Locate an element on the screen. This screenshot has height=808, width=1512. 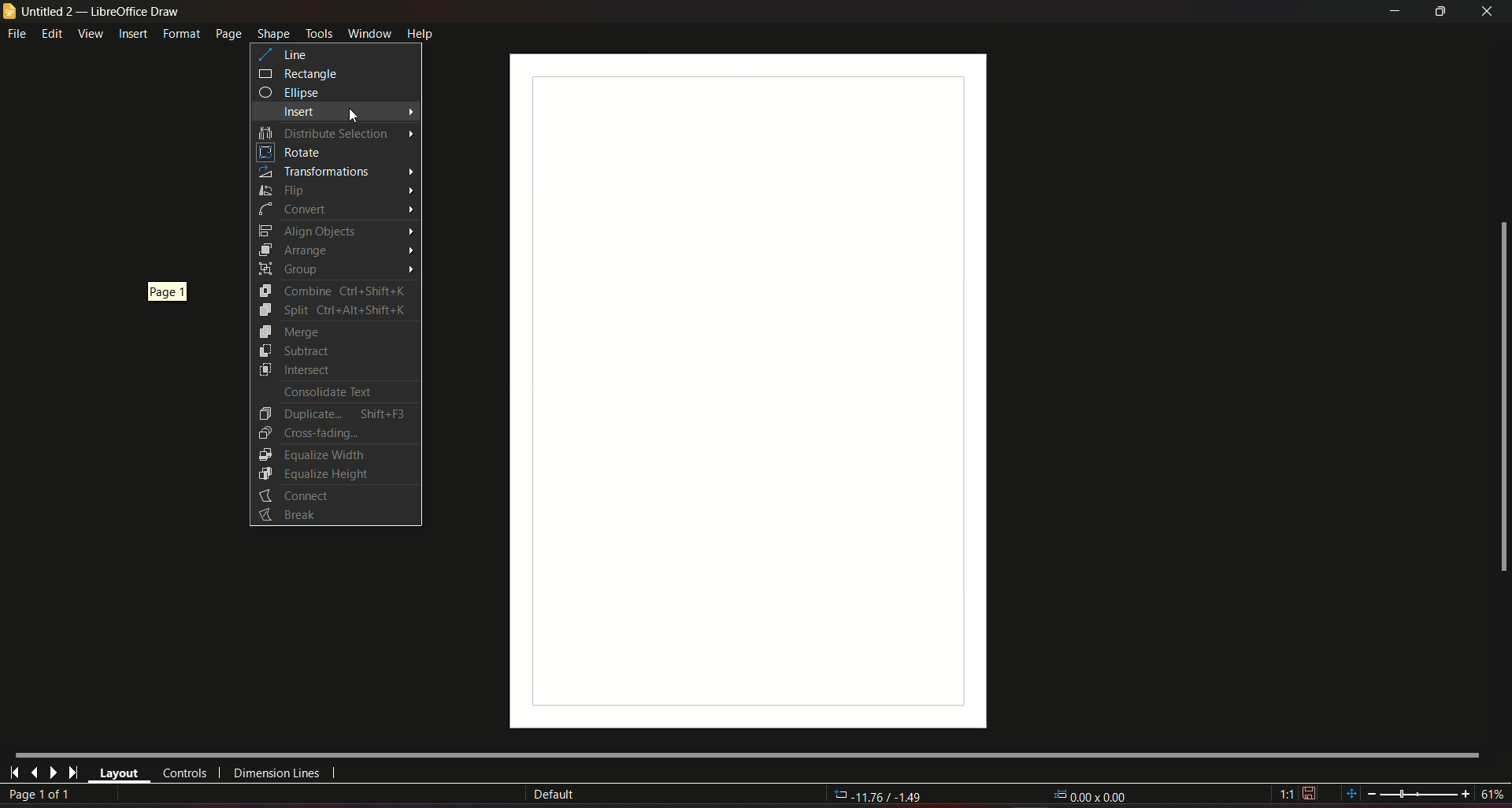
zoom is located at coordinates (1423, 792).